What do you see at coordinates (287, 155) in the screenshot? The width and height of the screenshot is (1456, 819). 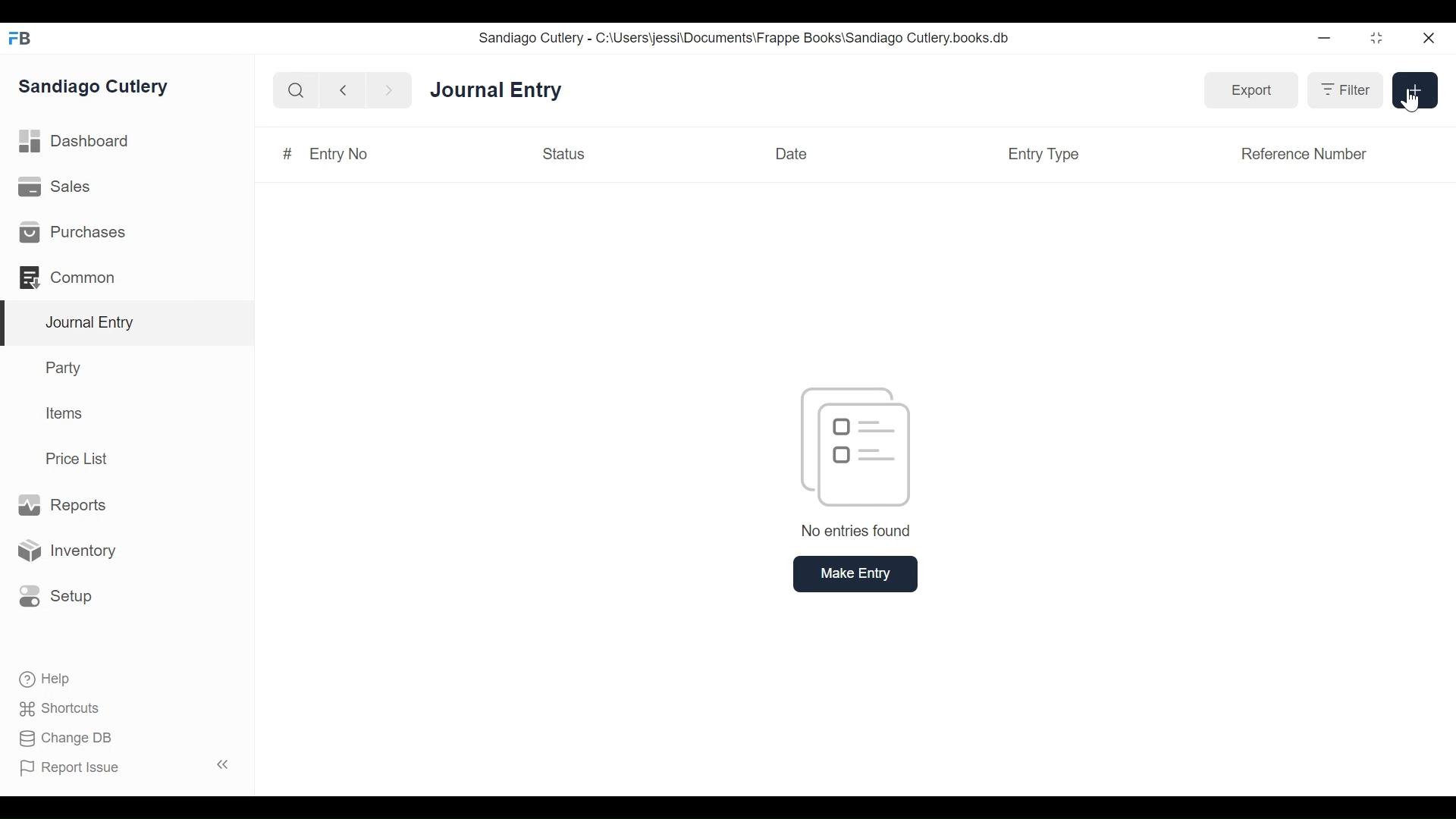 I see `#` at bounding box center [287, 155].